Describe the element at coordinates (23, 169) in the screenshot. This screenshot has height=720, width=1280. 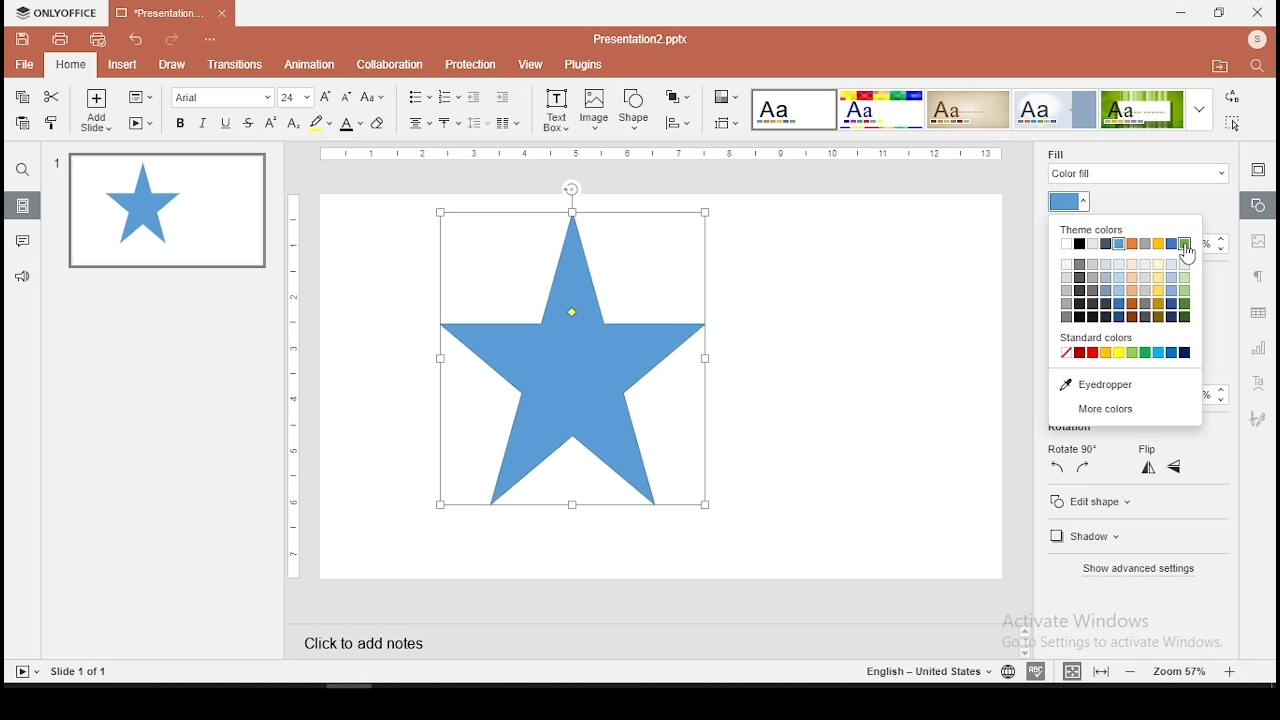
I see `search` at that location.